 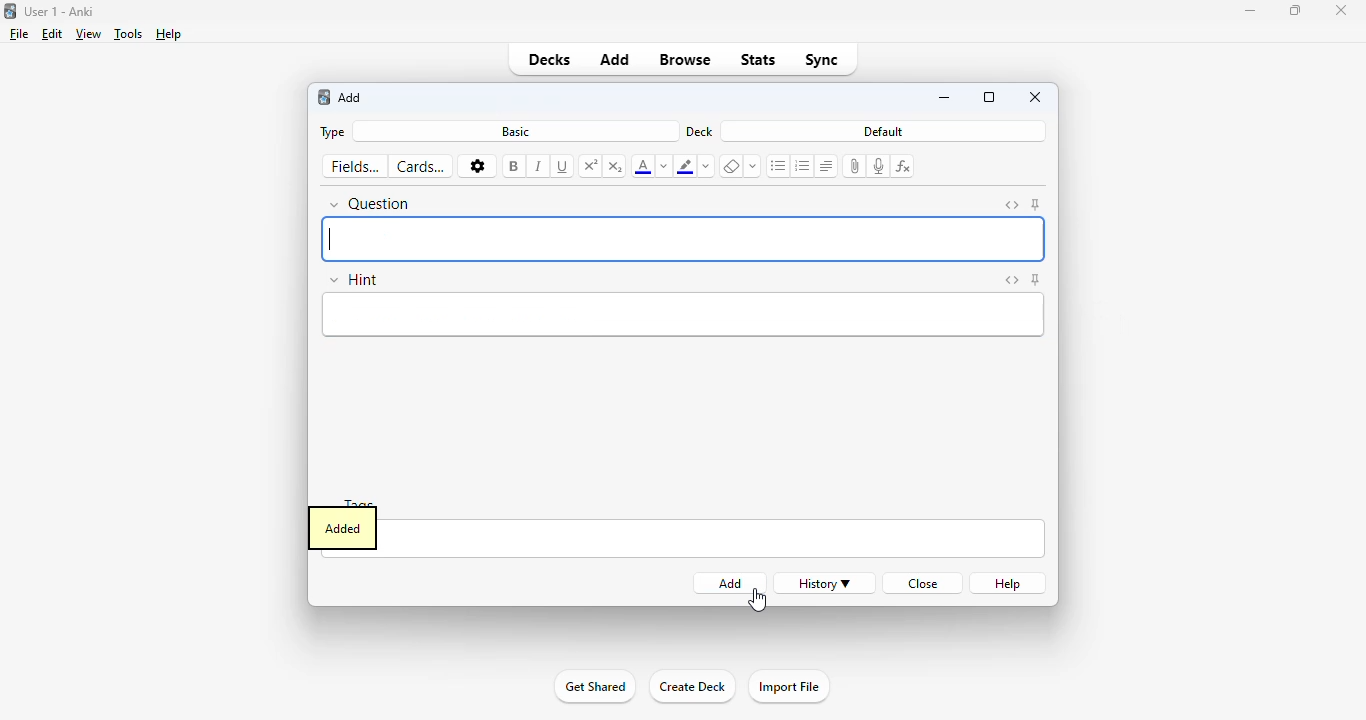 What do you see at coordinates (925, 584) in the screenshot?
I see `close` at bounding box center [925, 584].